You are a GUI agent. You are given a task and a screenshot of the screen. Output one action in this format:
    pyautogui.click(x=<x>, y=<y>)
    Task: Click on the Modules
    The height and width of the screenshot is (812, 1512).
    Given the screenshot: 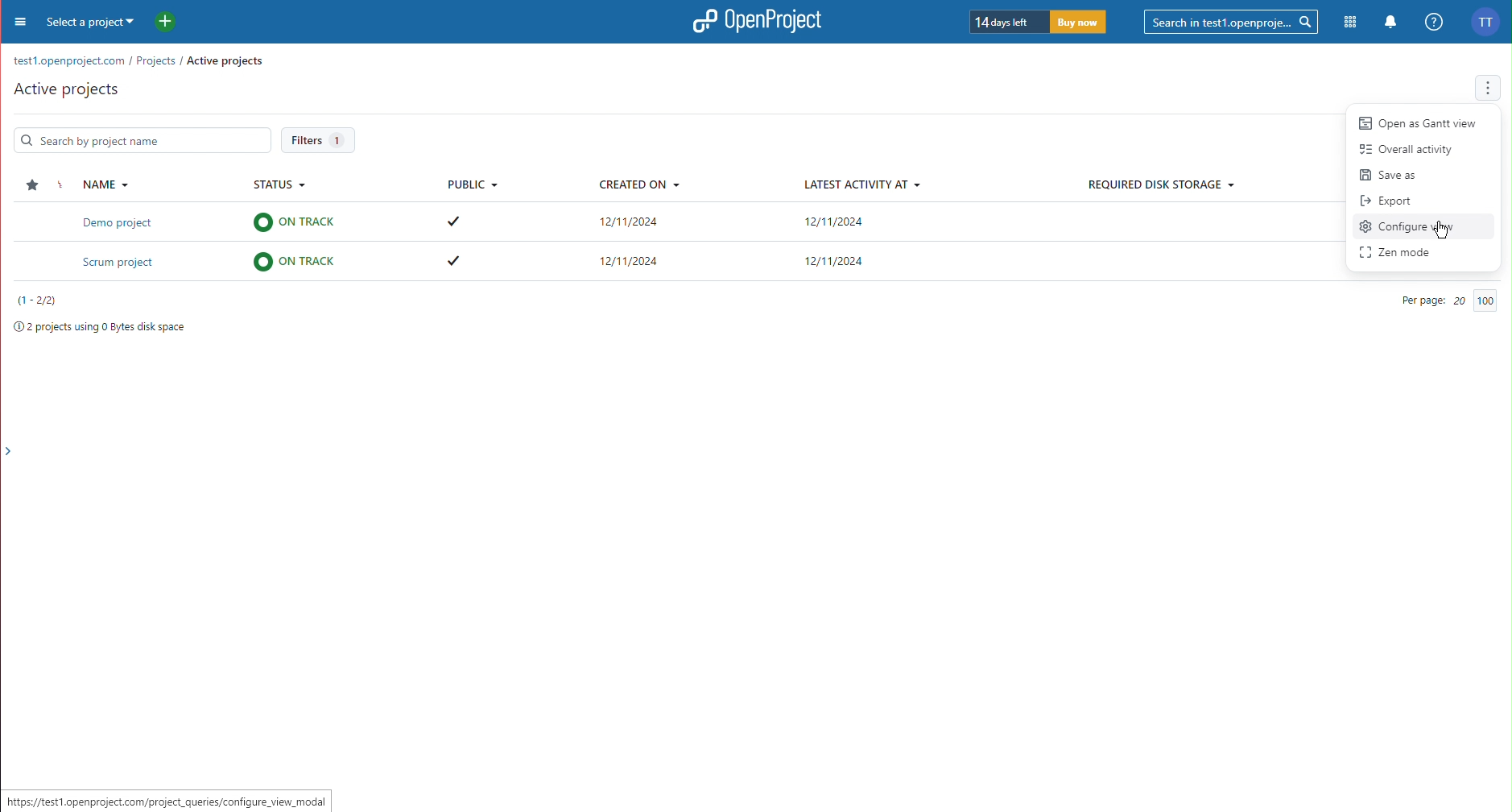 What is the action you would take?
    pyautogui.click(x=1349, y=21)
    